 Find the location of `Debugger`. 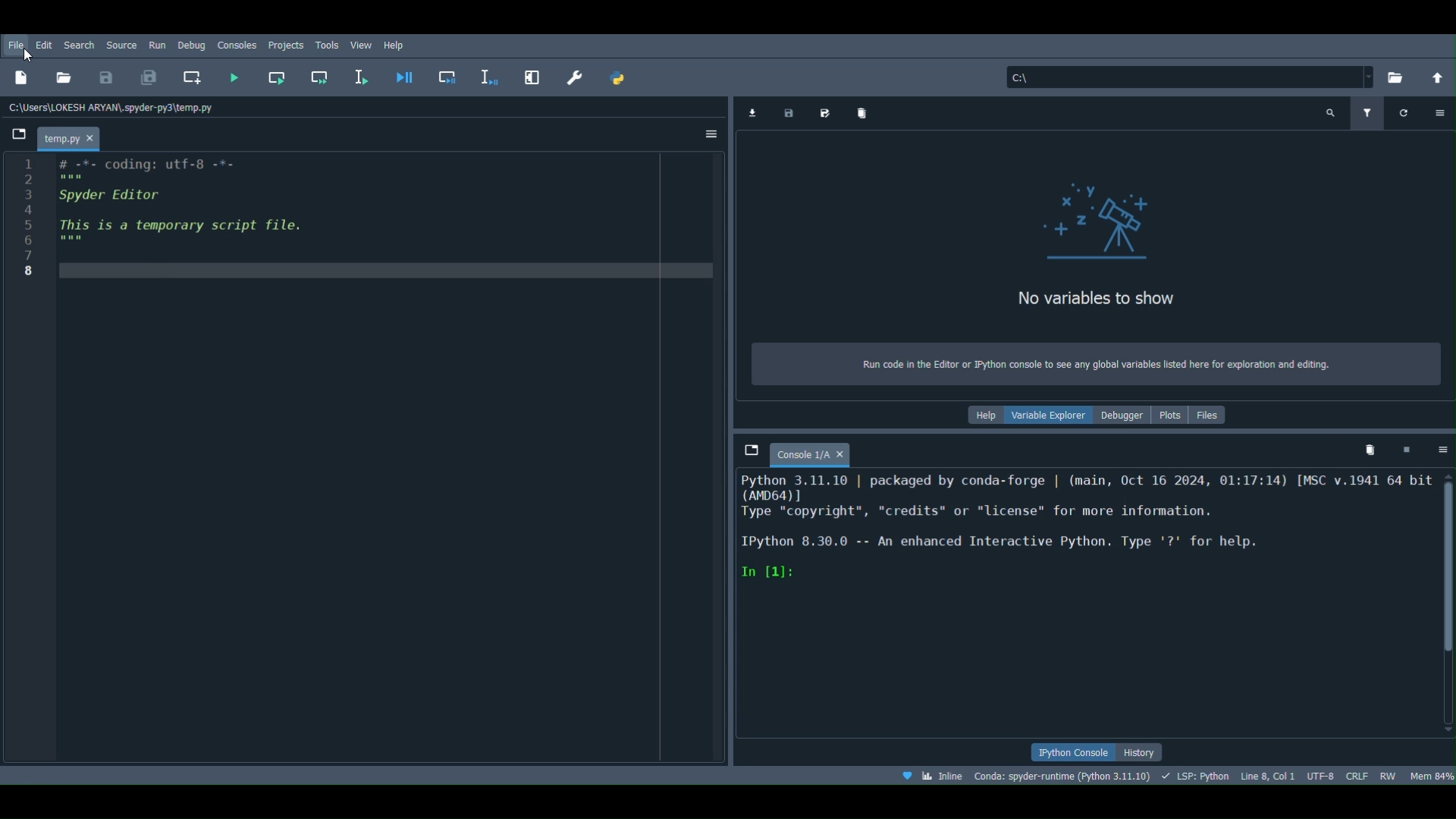

Debugger is located at coordinates (1119, 418).